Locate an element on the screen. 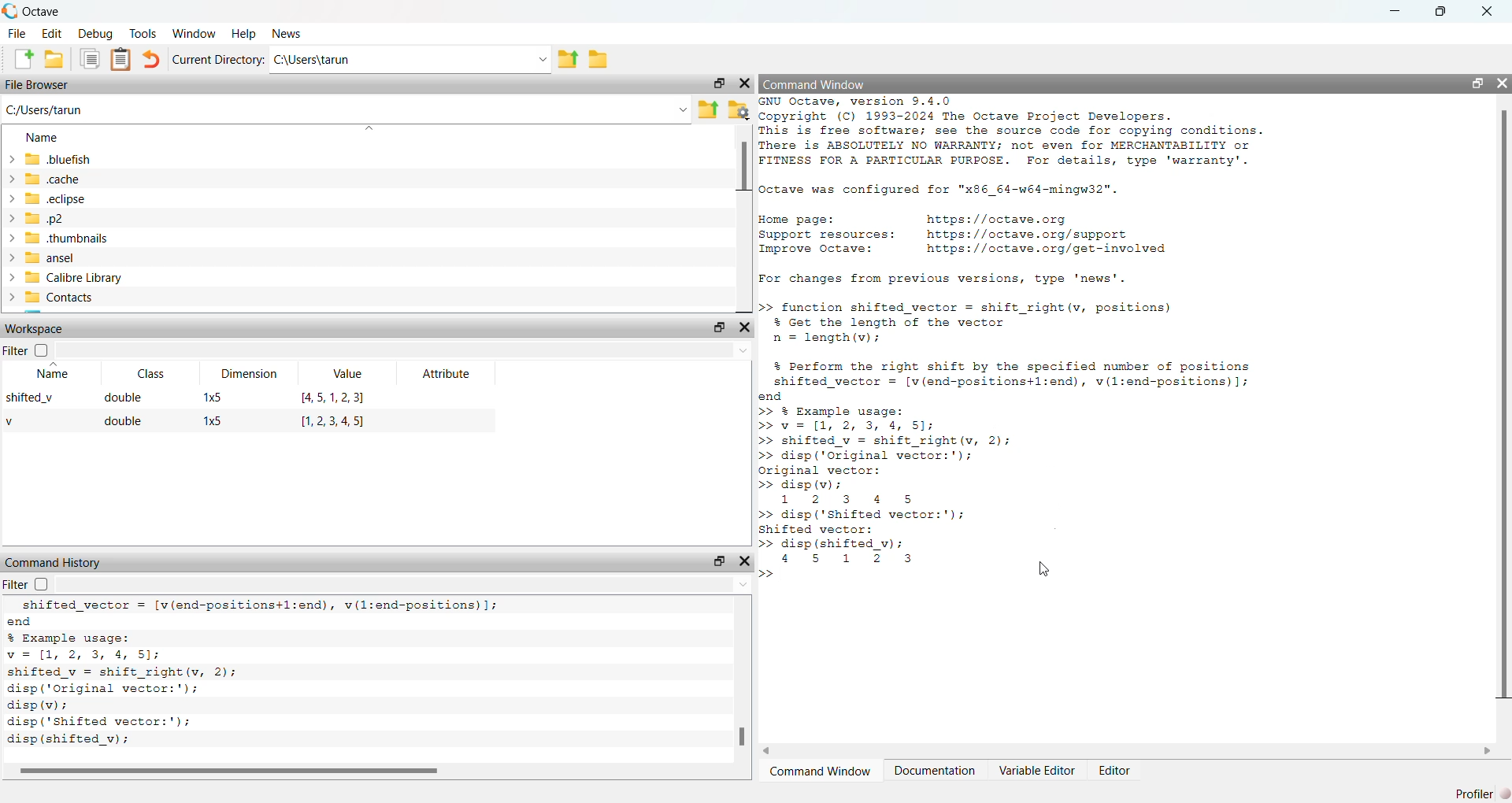 The height and width of the screenshot is (803, 1512). undo is located at coordinates (151, 60).